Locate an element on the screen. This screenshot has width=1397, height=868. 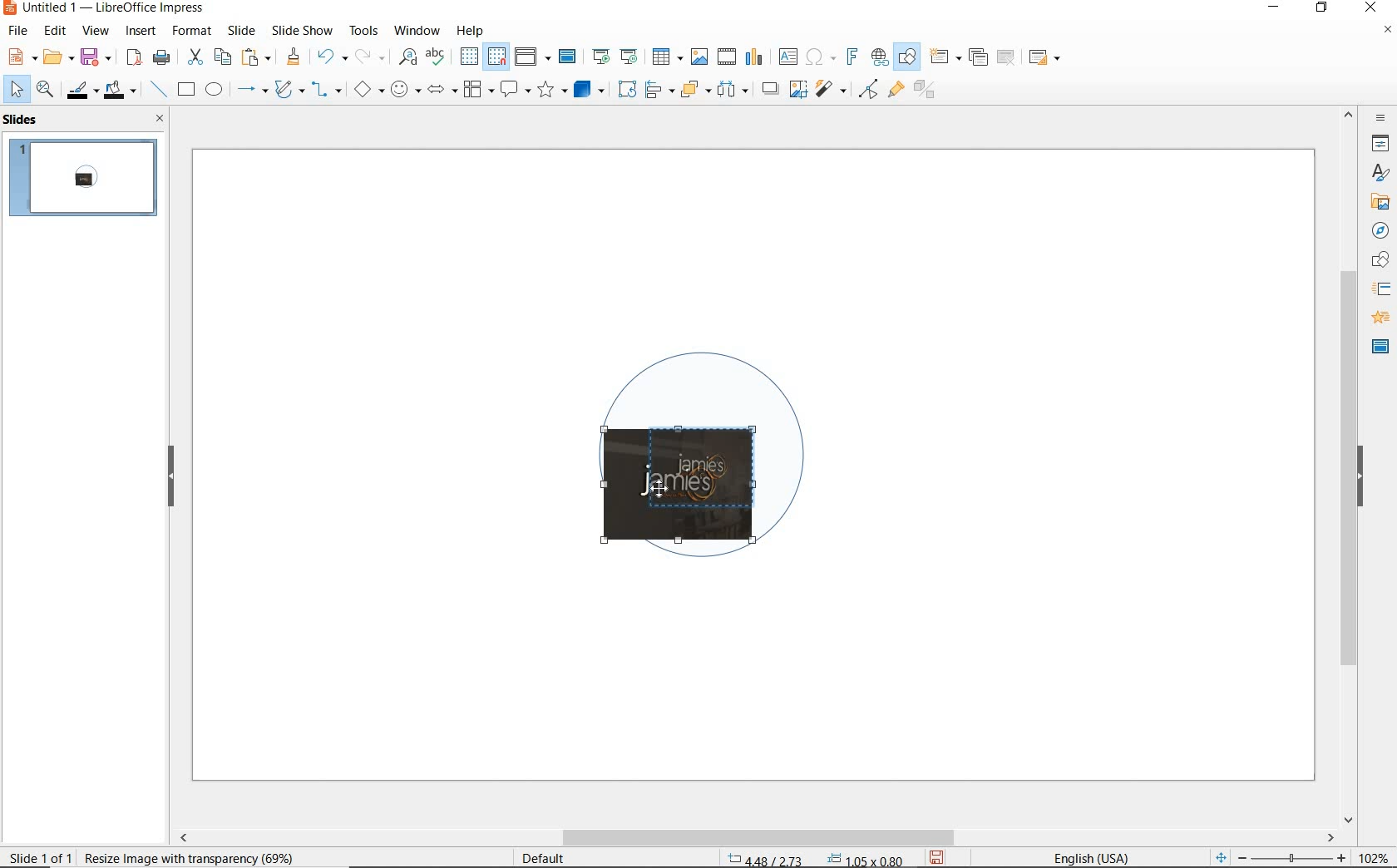
paste is located at coordinates (257, 57).